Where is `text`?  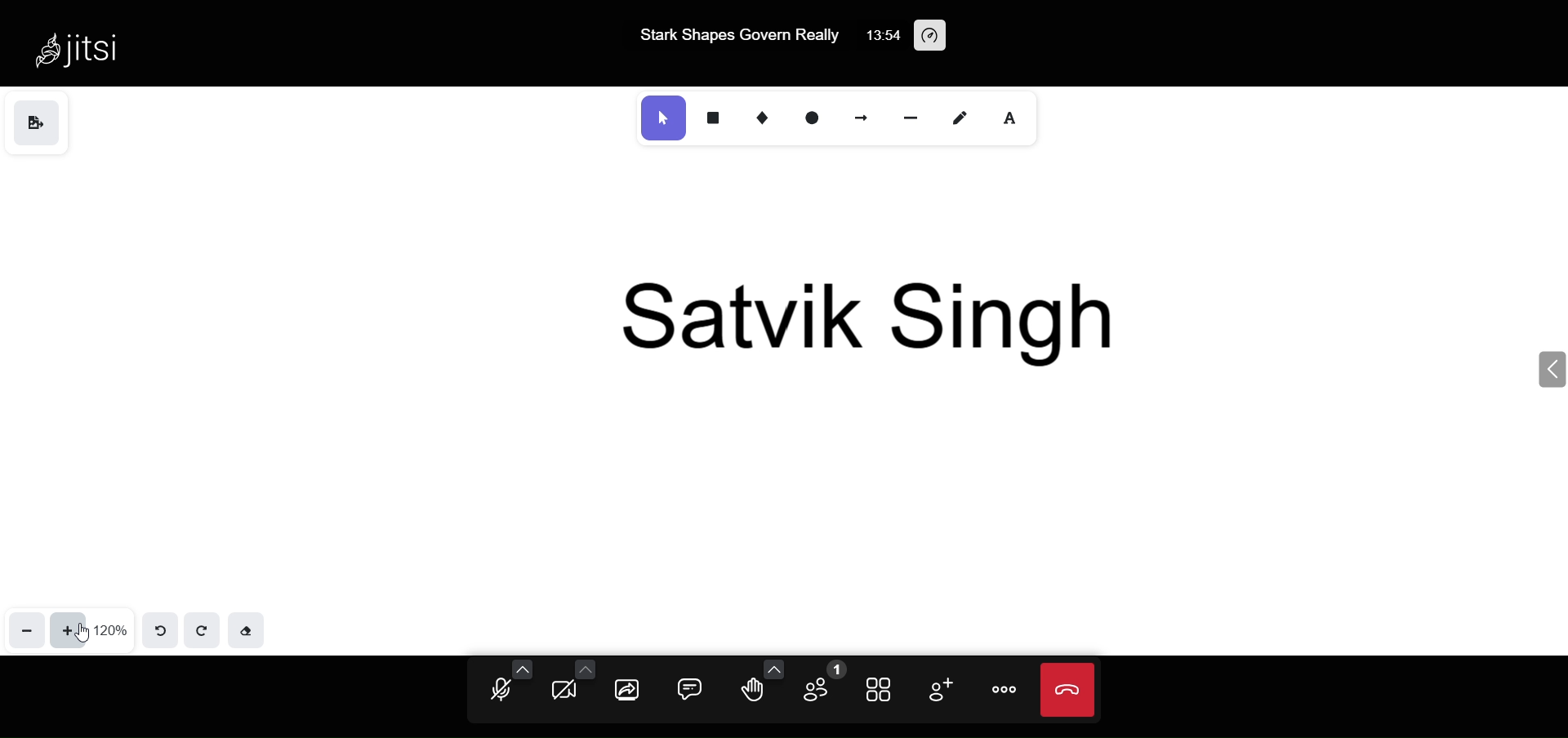 text is located at coordinates (1011, 117).